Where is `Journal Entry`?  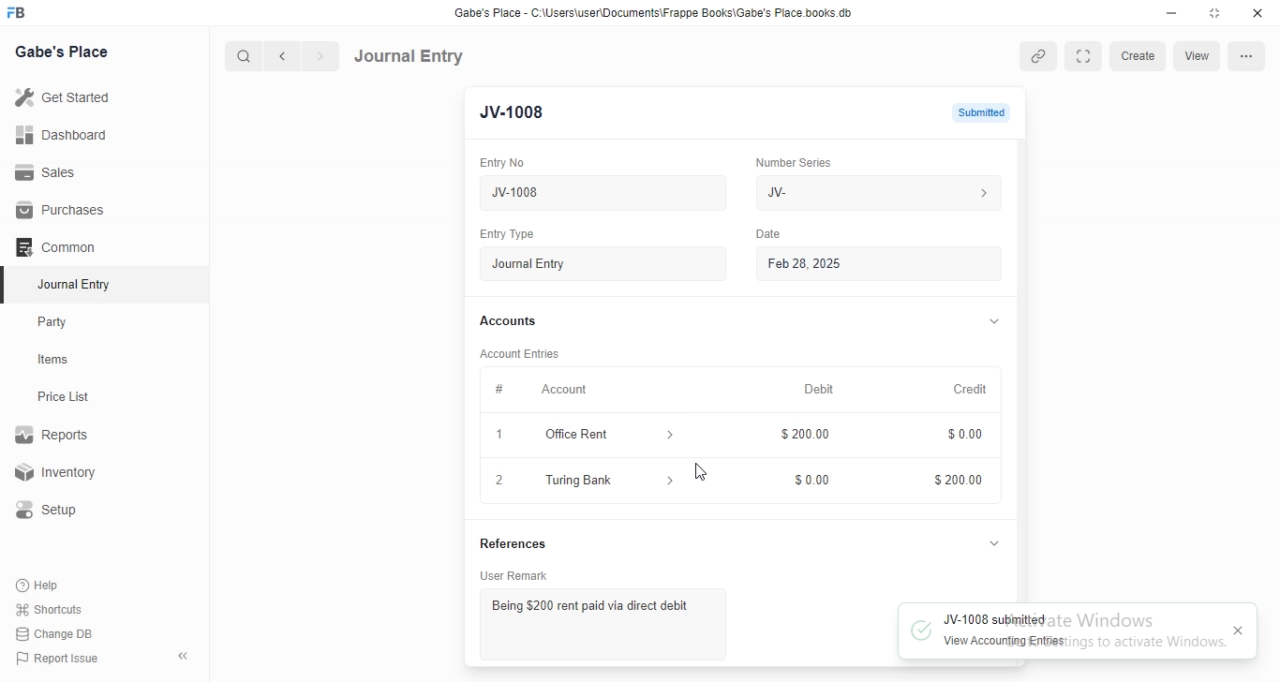
Journal Entry is located at coordinates (409, 56).